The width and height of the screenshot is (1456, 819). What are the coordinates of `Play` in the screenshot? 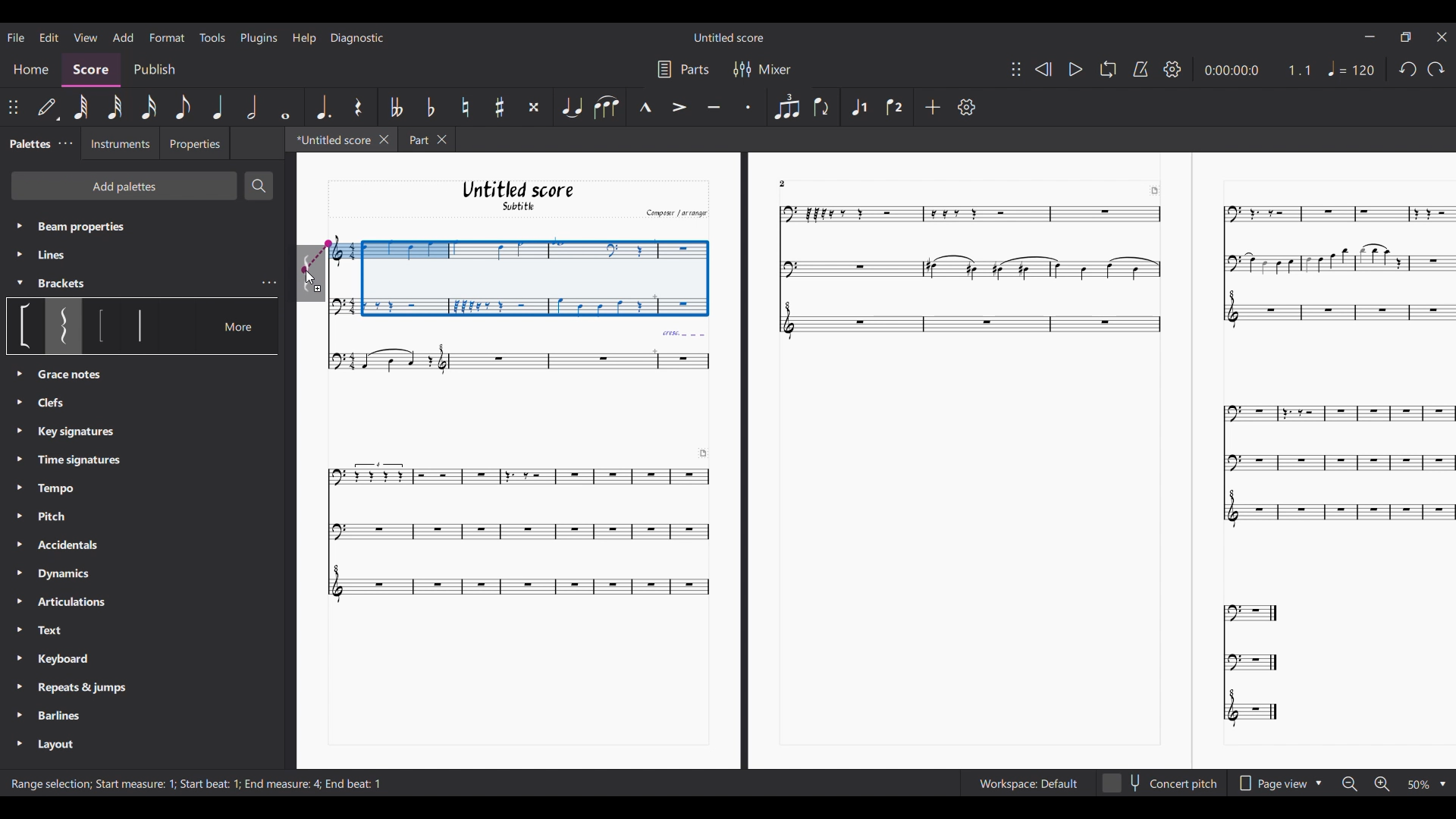 It's located at (1075, 70).